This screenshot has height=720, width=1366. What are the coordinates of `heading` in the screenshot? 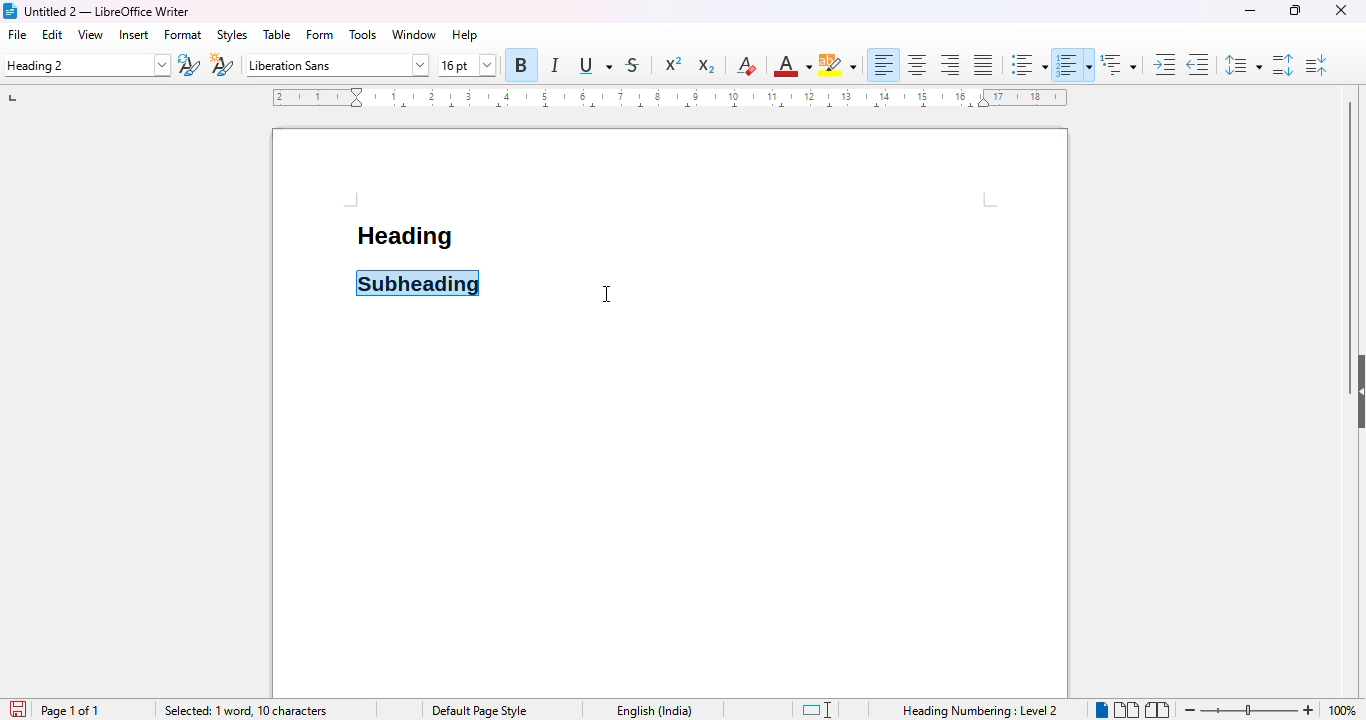 It's located at (403, 236).